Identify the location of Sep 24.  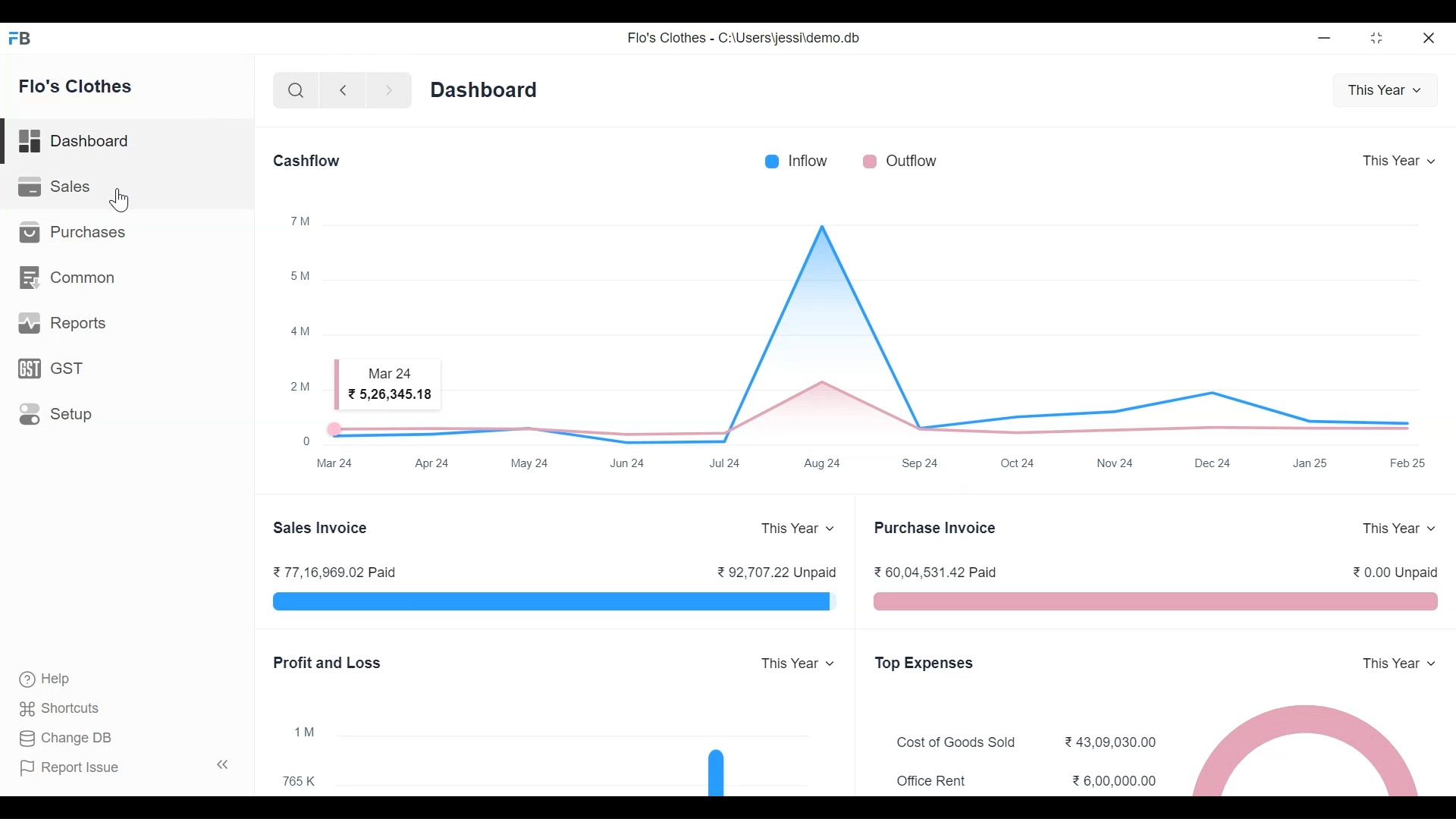
(921, 462).